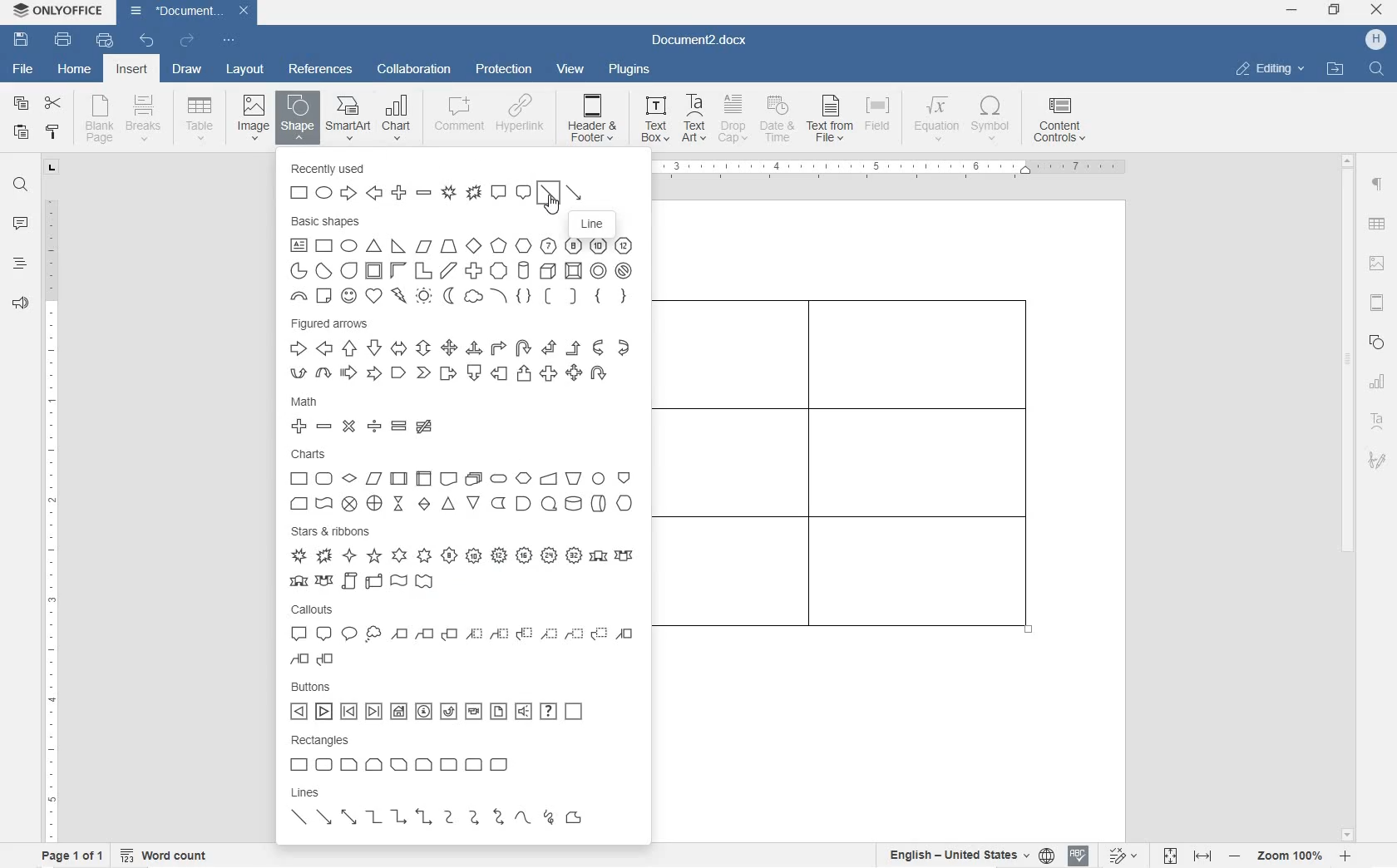 This screenshot has width=1397, height=868. I want to click on layout, so click(246, 70).